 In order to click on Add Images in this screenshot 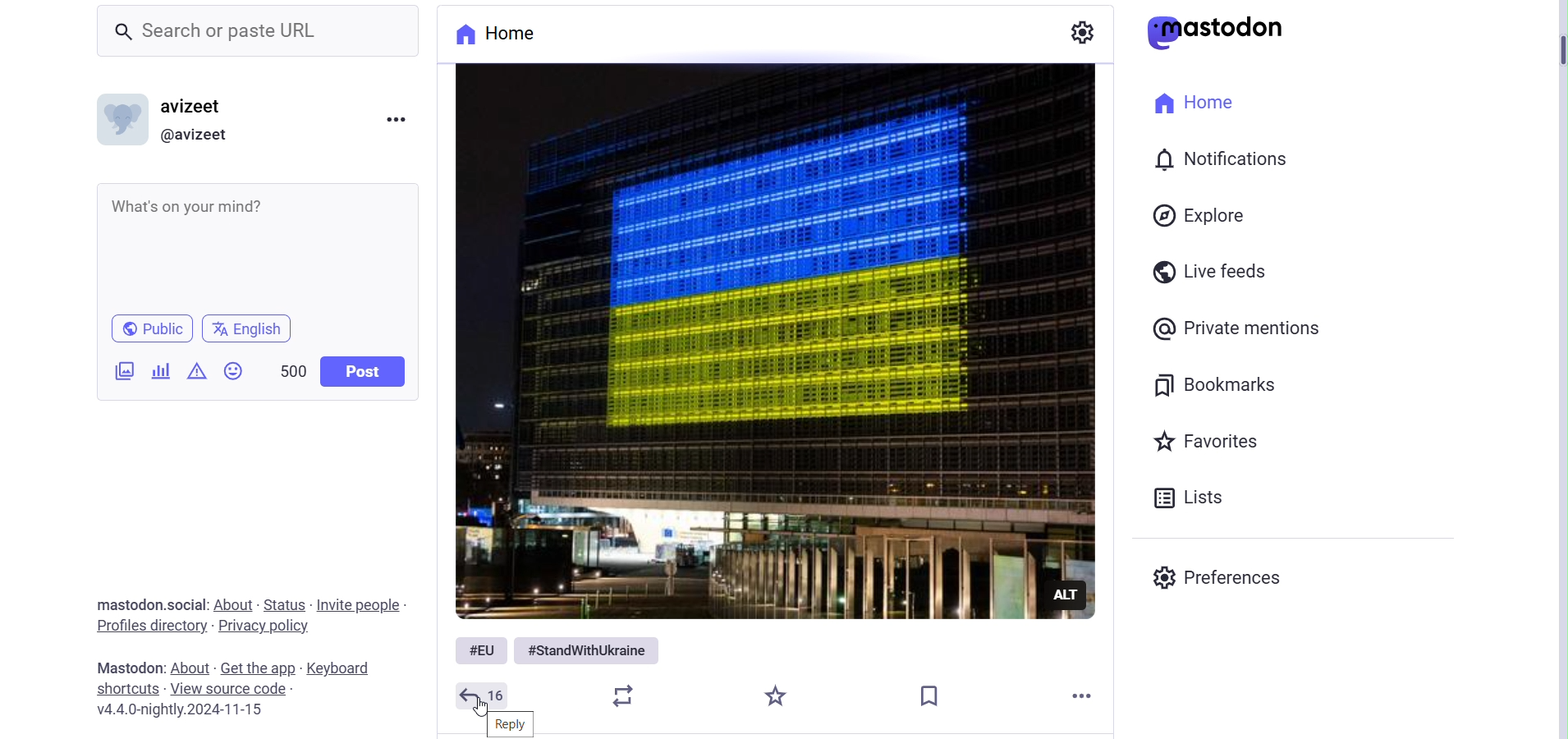, I will do `click(122, 370)`.